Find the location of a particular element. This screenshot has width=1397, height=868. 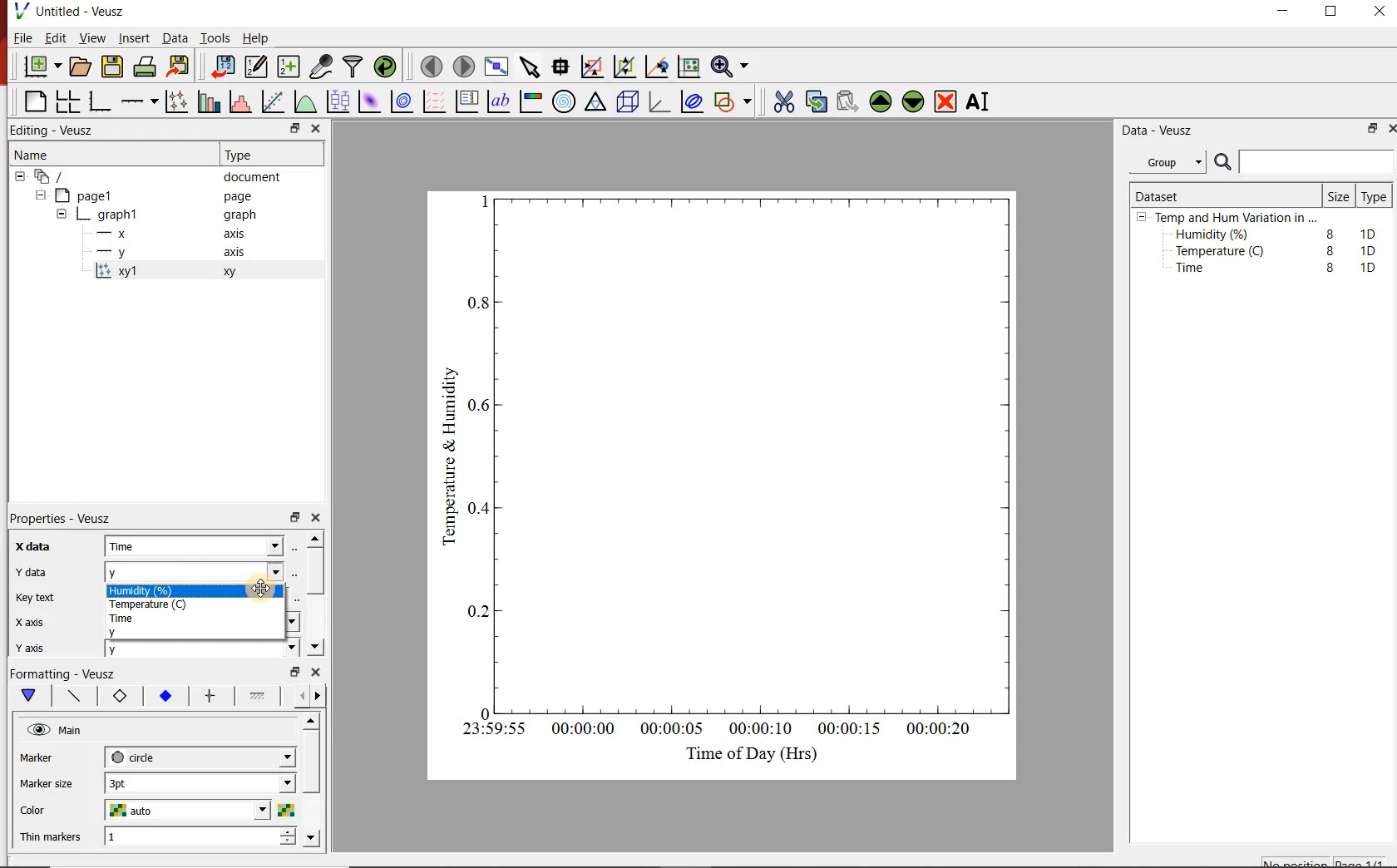

Key text is located at coordinates (37, 599).